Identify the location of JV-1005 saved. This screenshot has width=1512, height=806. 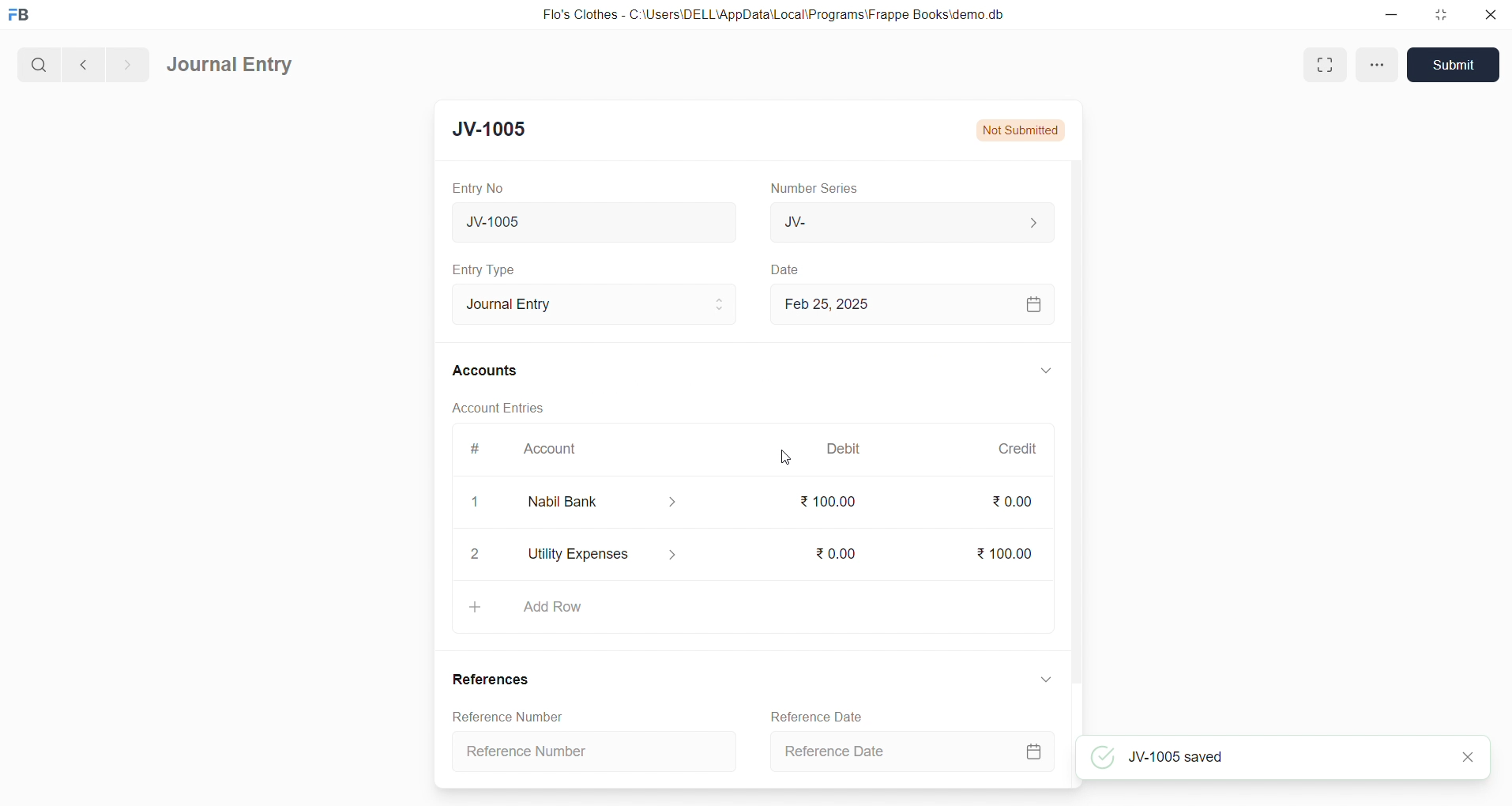
(1270, 757).